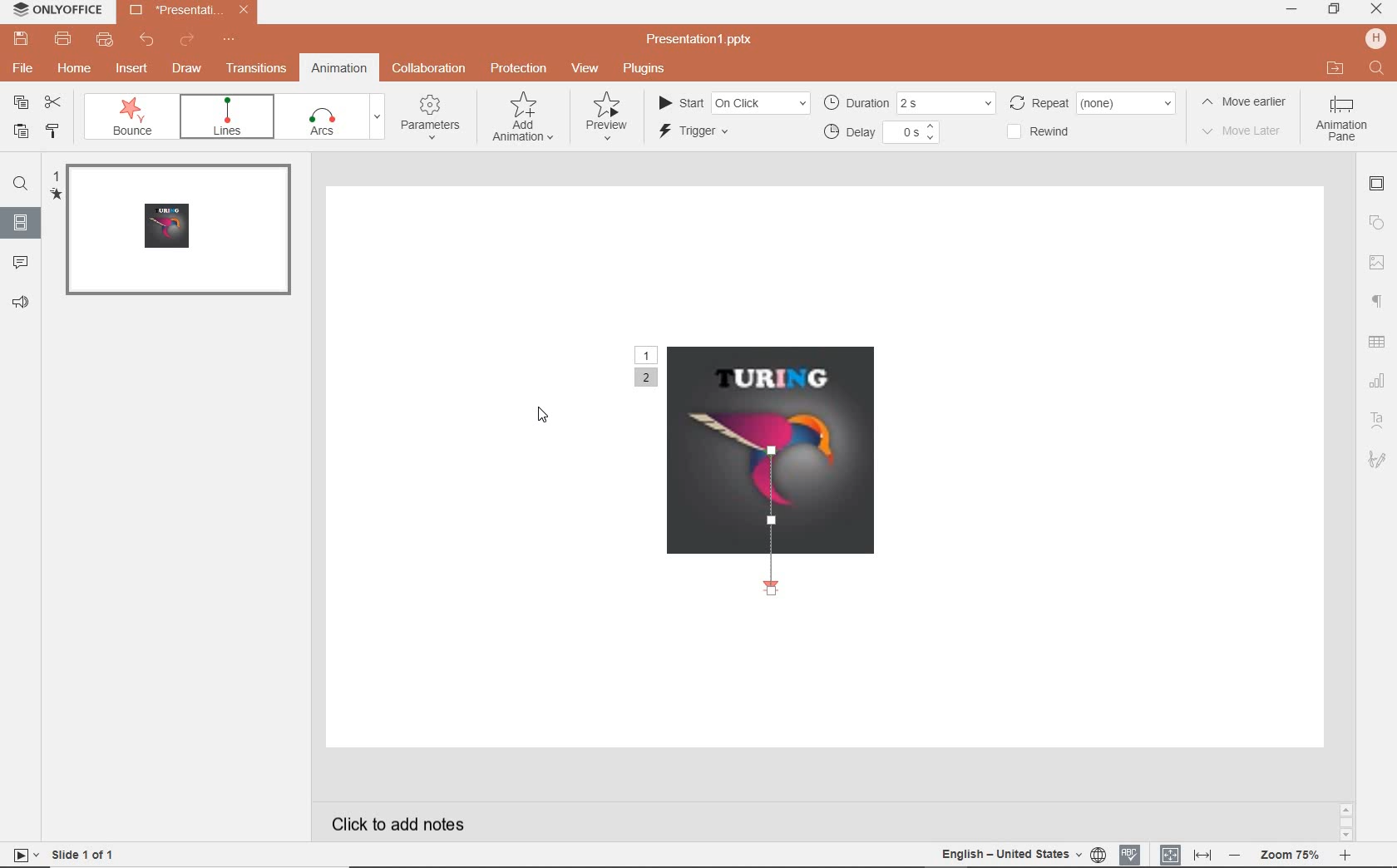 This screenshot has width=1397, height=868. I want to click on duration, so click(909, 104).